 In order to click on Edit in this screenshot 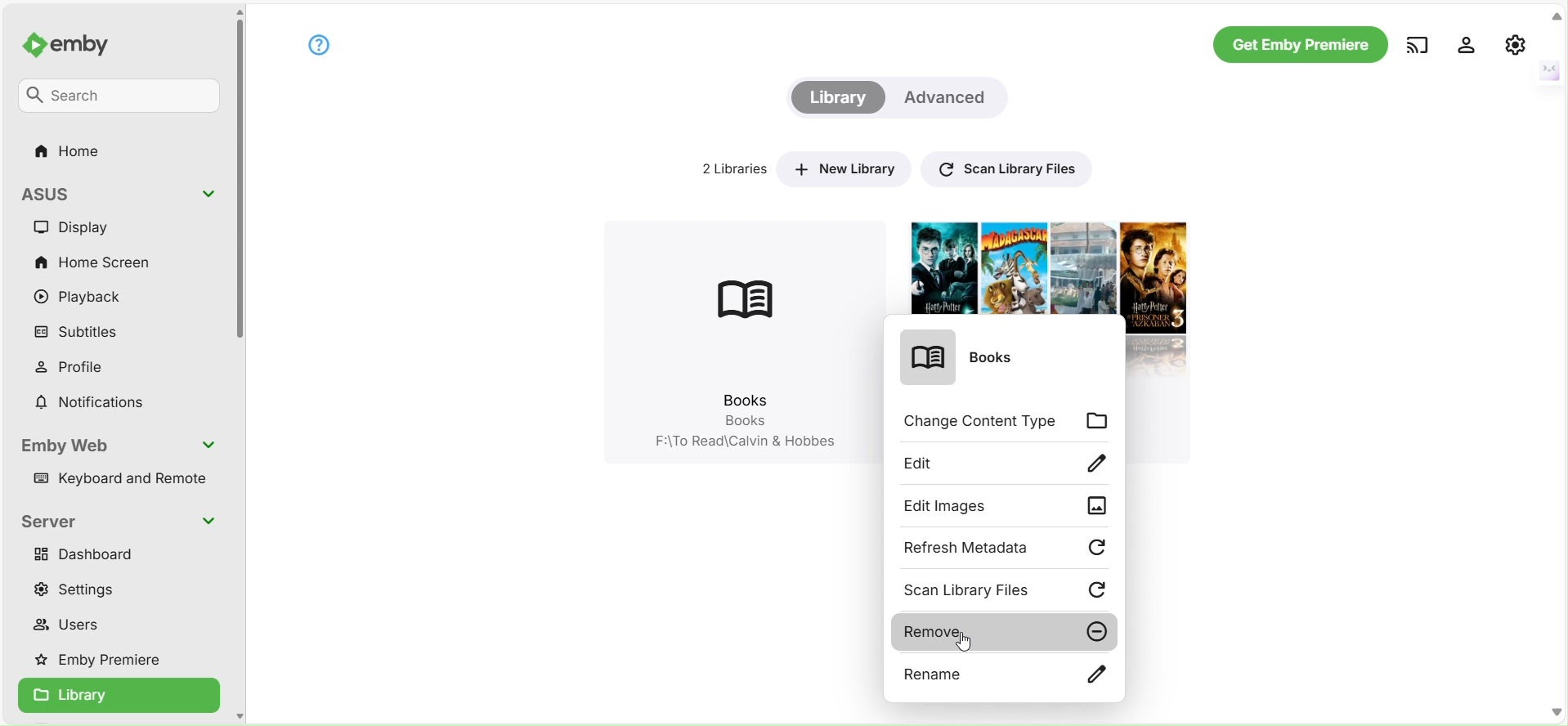, I will do `click(1008, 463)`.